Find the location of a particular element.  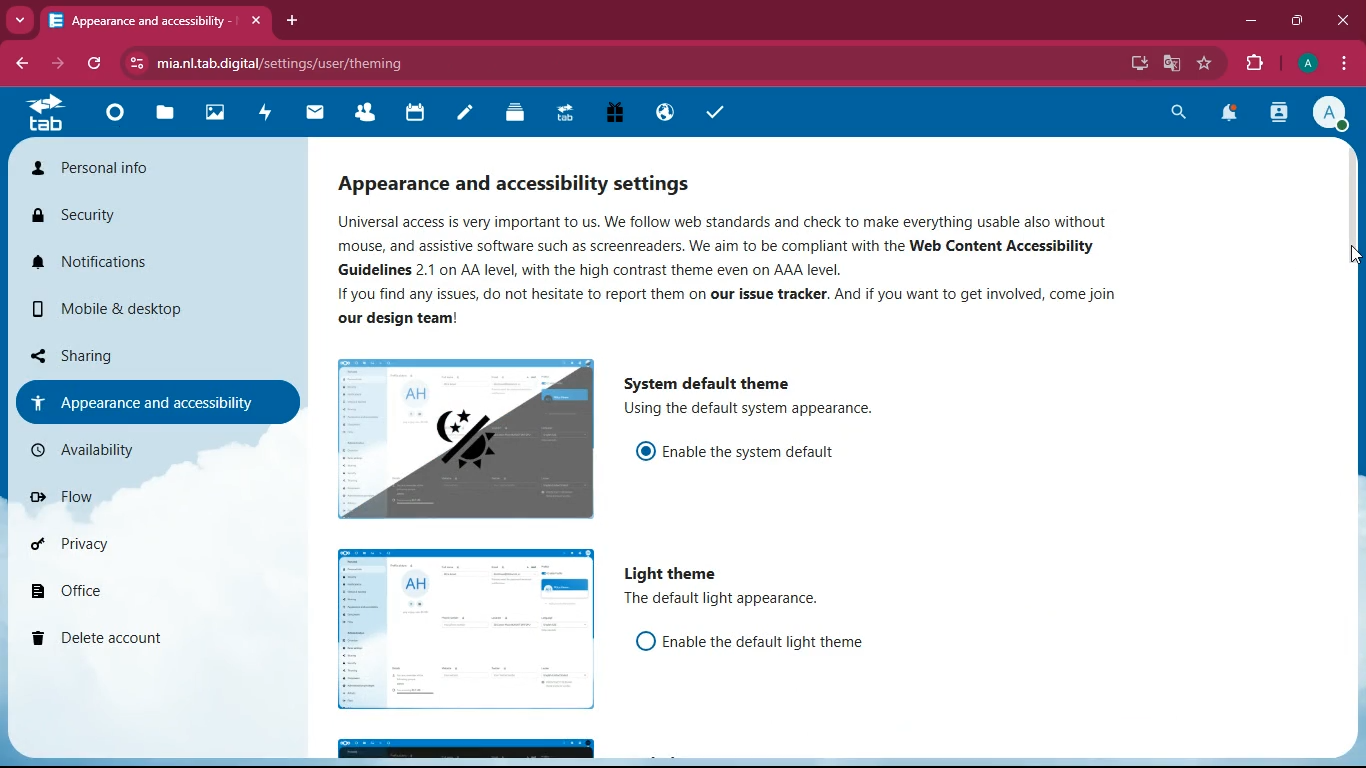

calendar is located at coordinates (417, 112).